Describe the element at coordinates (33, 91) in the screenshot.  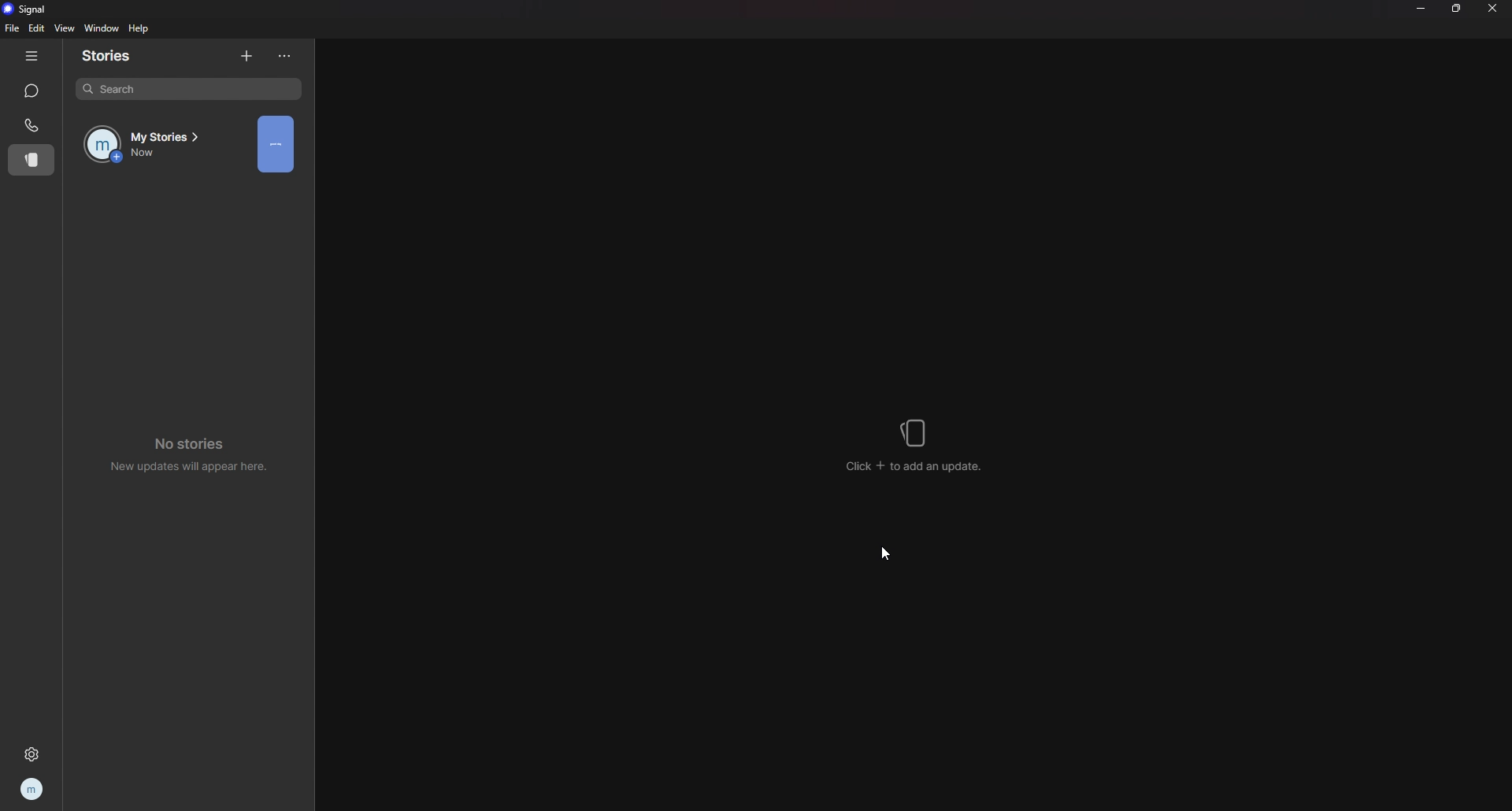
I see `chats` at that location.